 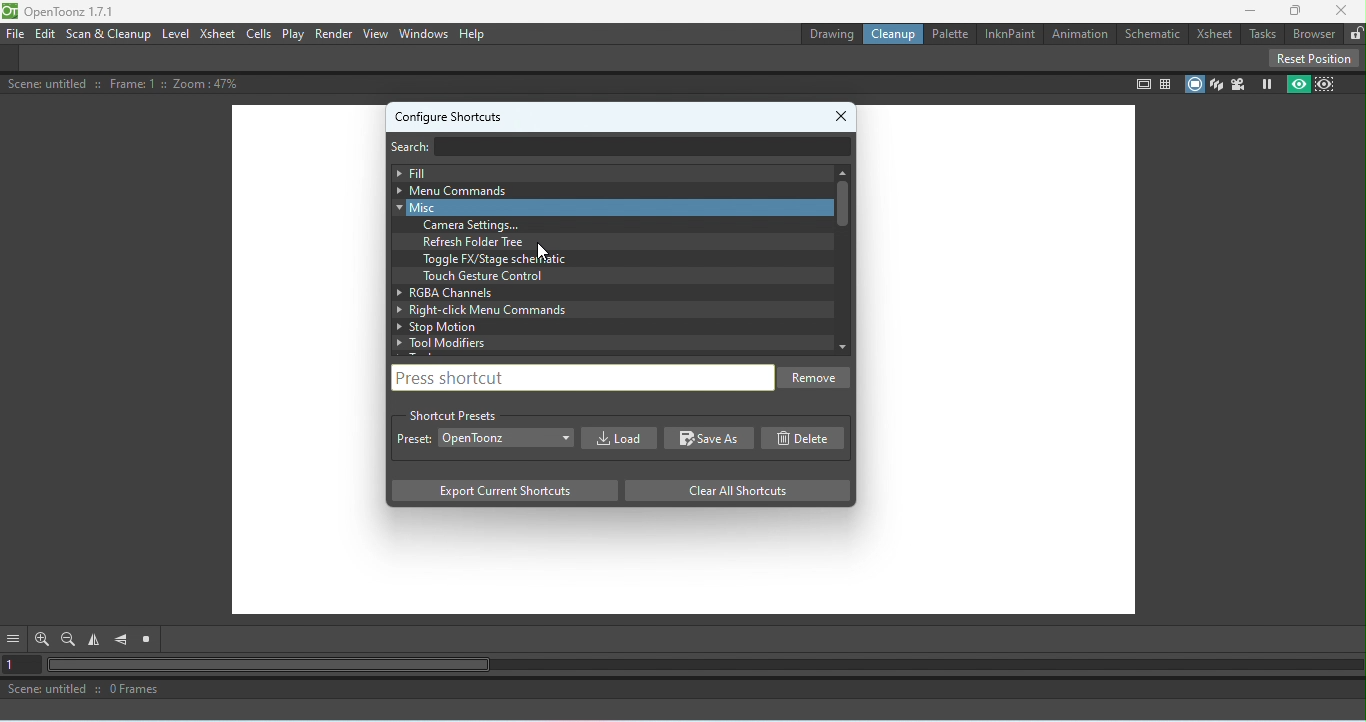 I want to click on Freeze, so click(x=1263, y=85).